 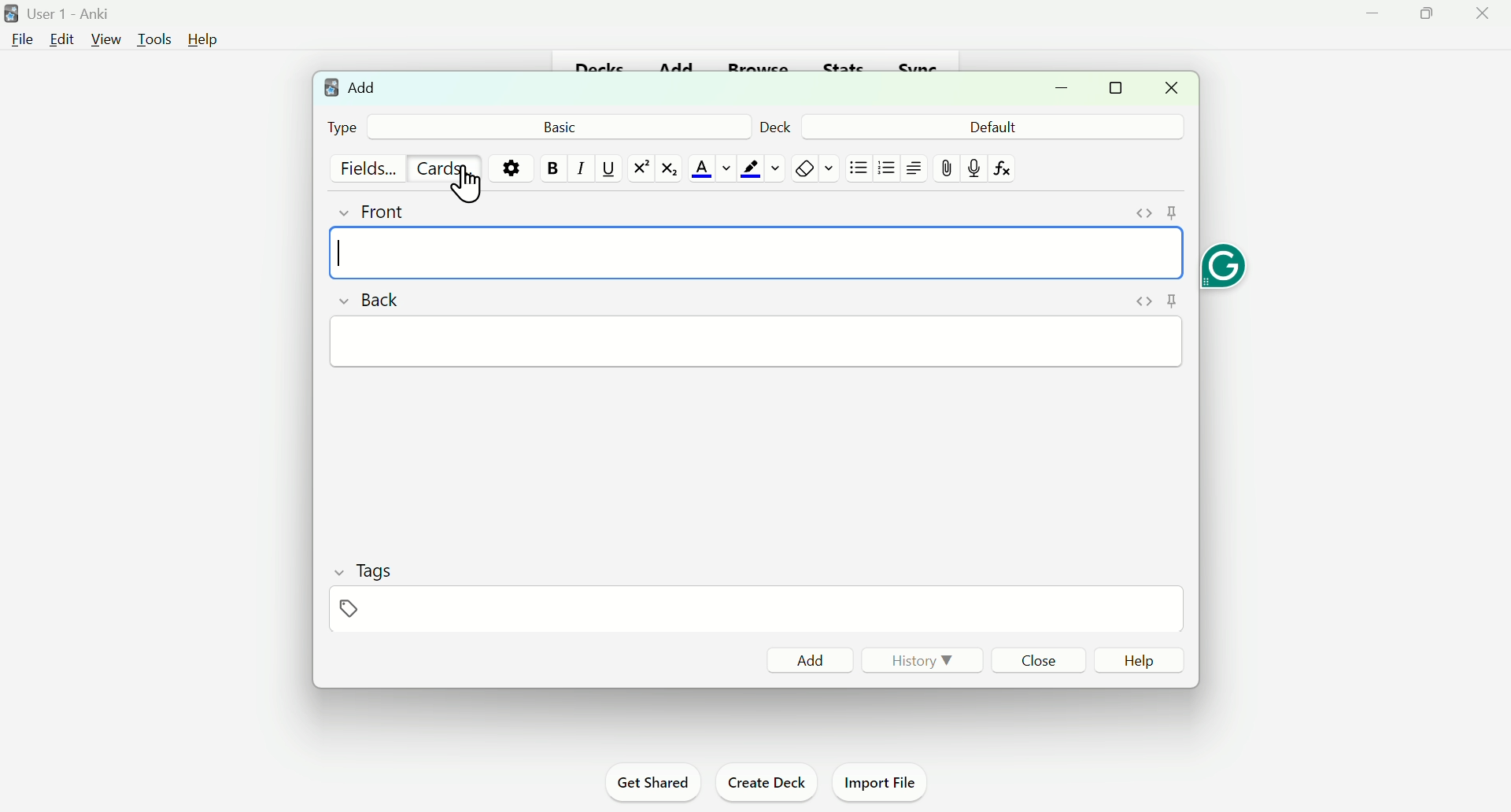 I want to click on DECK, so click(x=775, y=126).